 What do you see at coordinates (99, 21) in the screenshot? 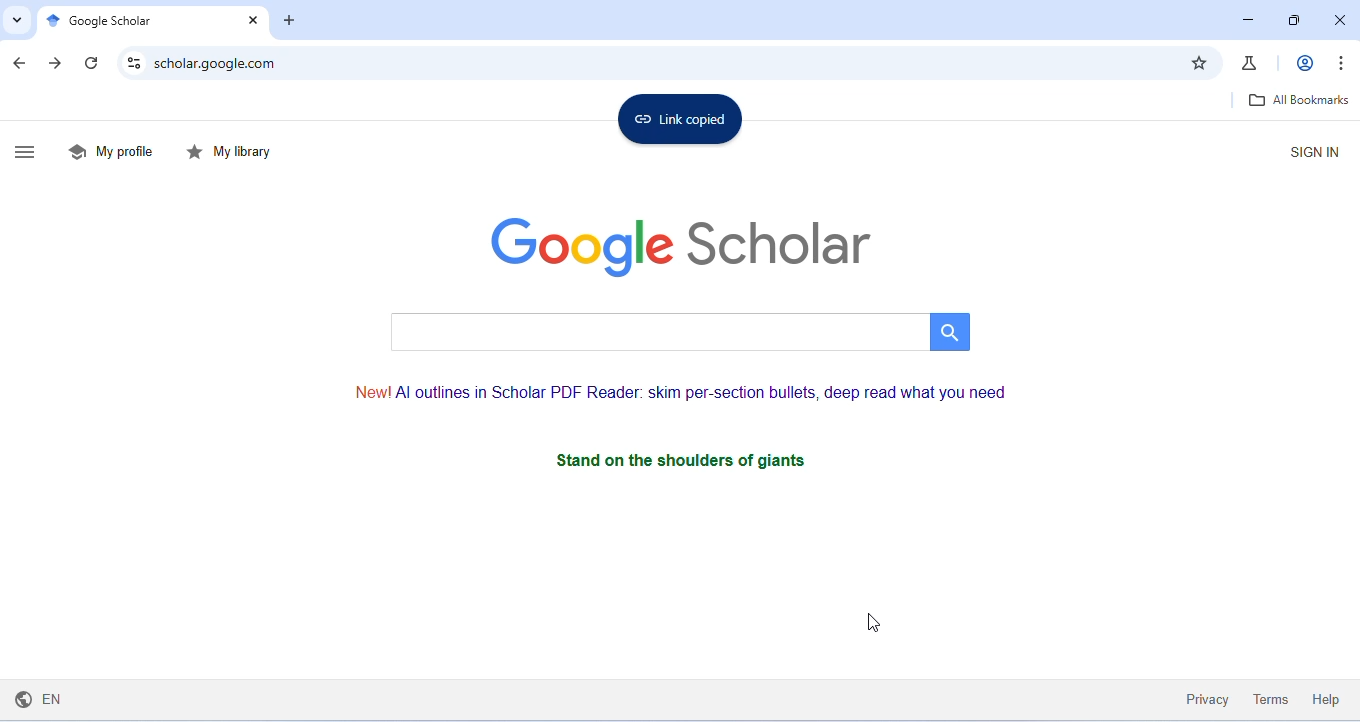
I see `google scholar` at bounding box center [99, 21].